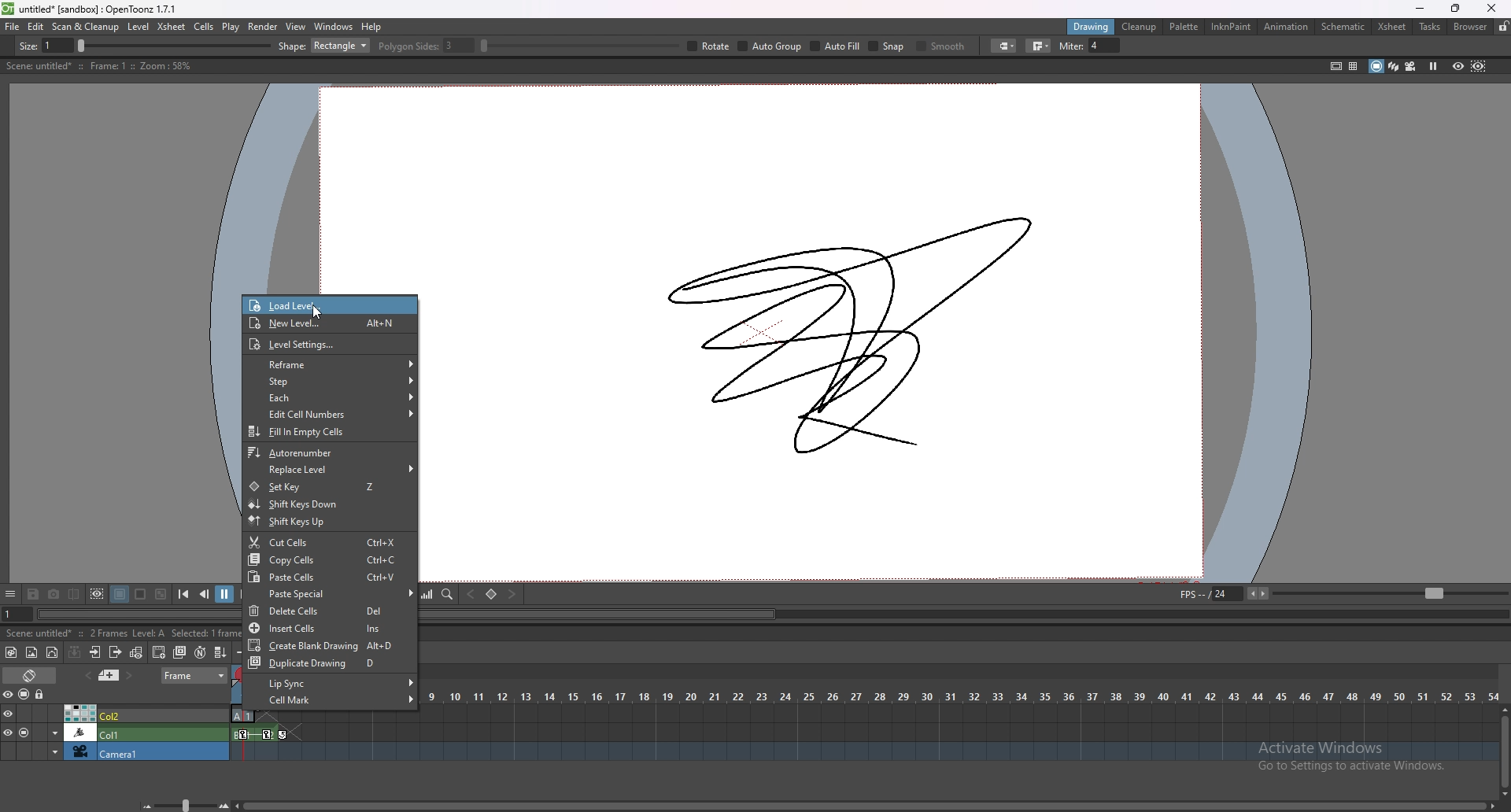 The image size is (1511, 812). What do you see at coordinates (160, 651) in the screenshot?
I see `add drawing` at bounding box center [160, 651].